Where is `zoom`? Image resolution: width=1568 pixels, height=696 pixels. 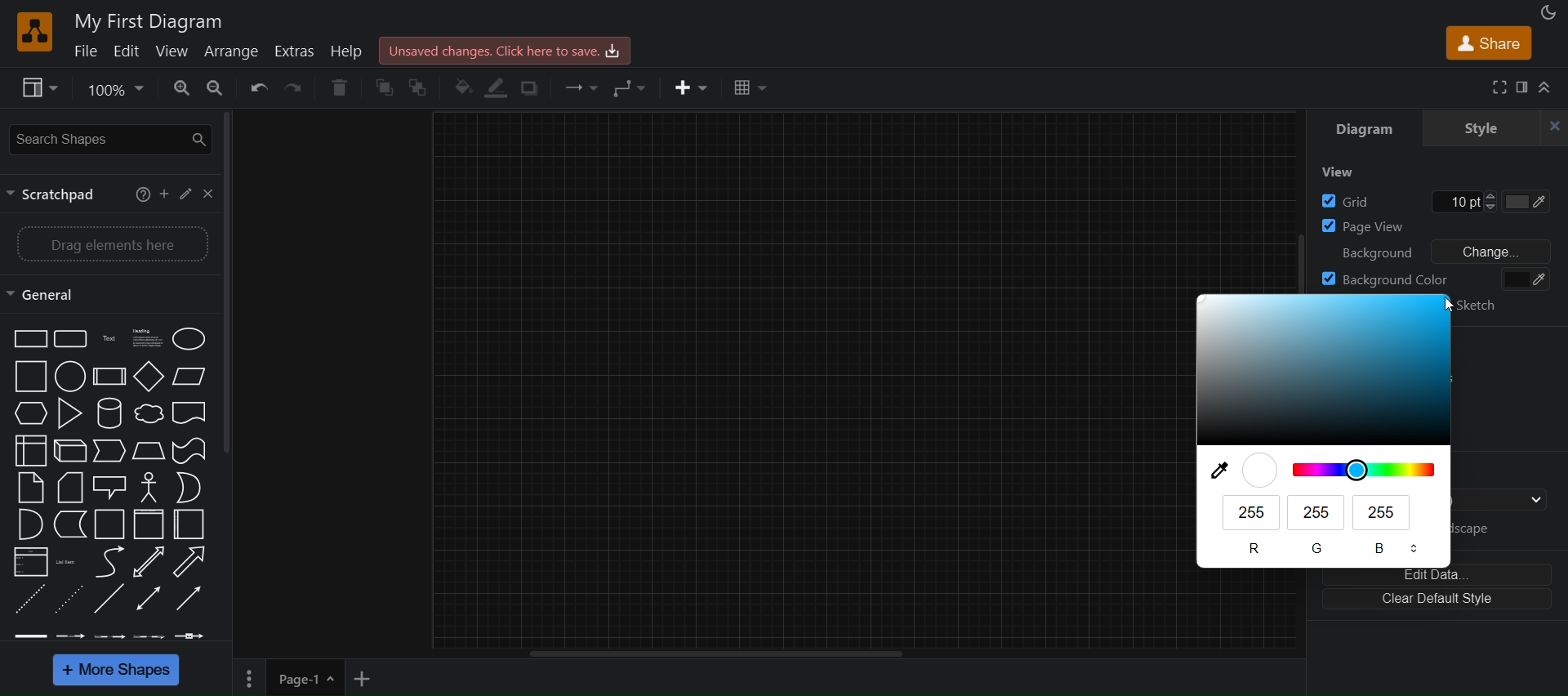 zoom is located at coordinates (114, 87).